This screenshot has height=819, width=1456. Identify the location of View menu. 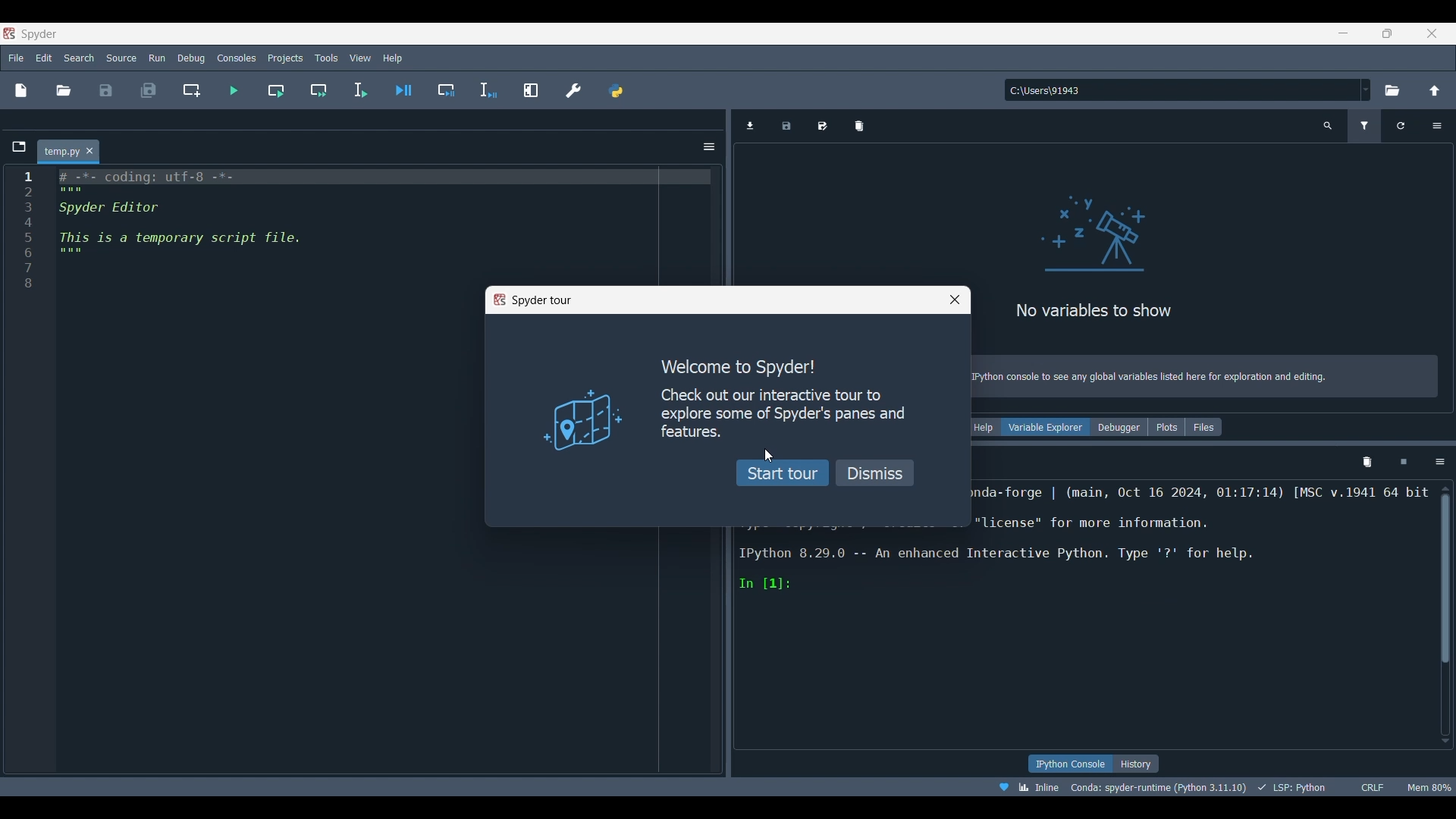
(359, 58).